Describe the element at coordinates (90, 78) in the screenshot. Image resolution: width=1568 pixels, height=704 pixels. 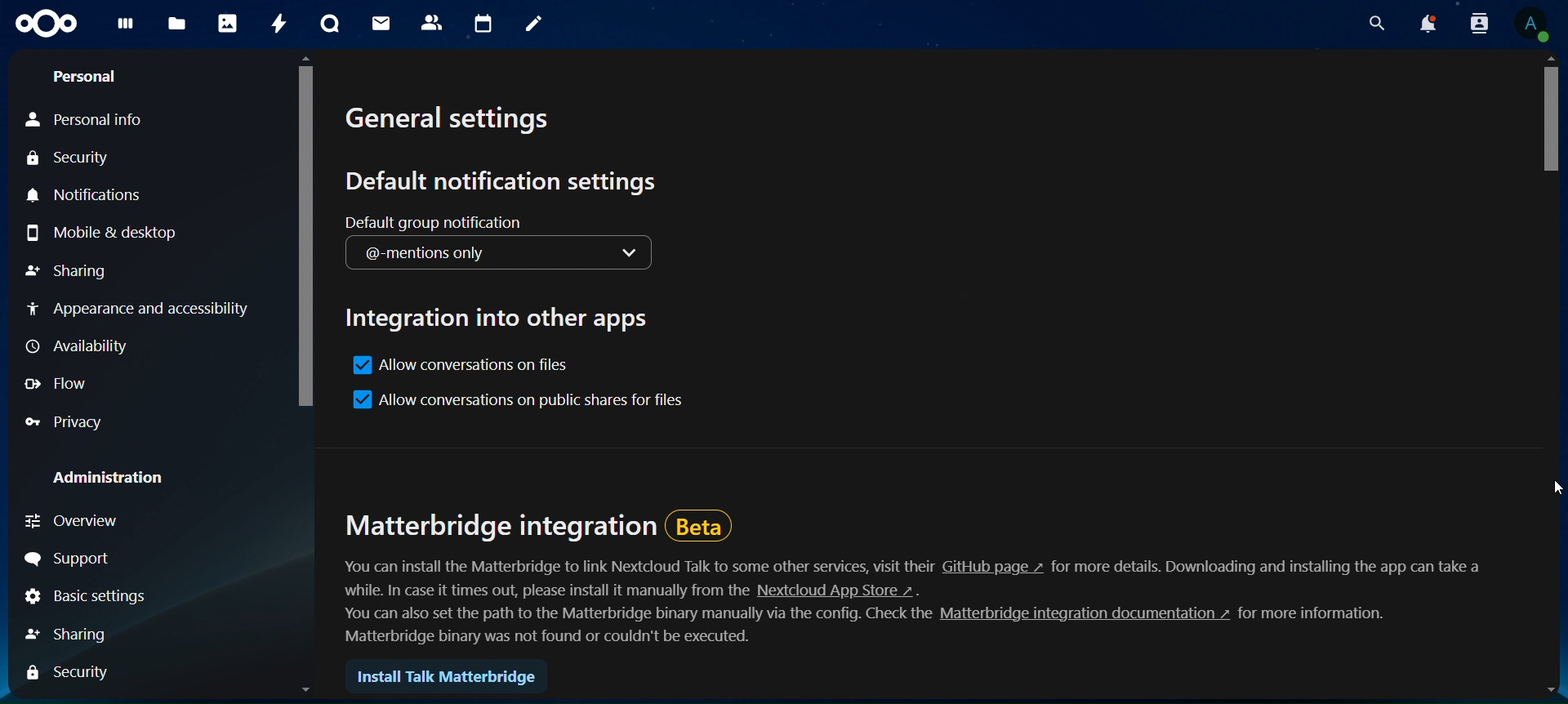
I see `personal` at that location.